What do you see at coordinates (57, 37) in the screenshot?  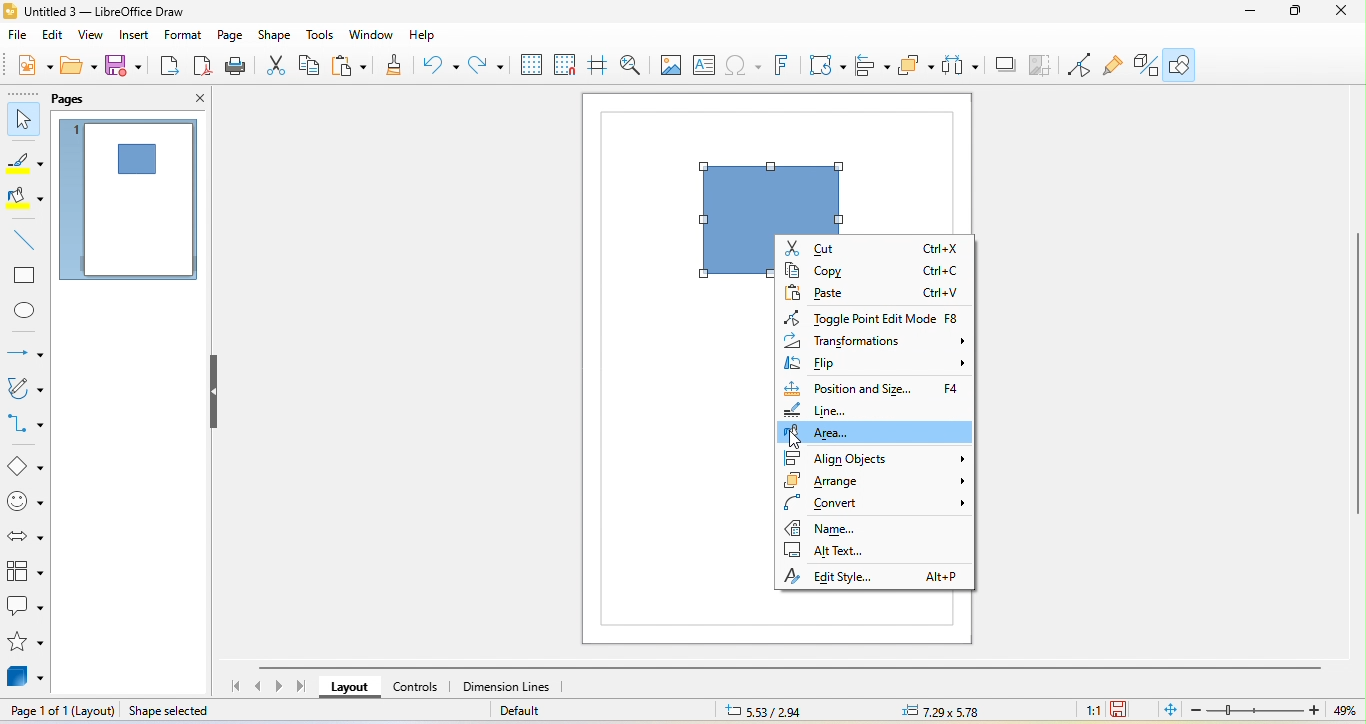 I see `edit` at bounding box center [57, 37].